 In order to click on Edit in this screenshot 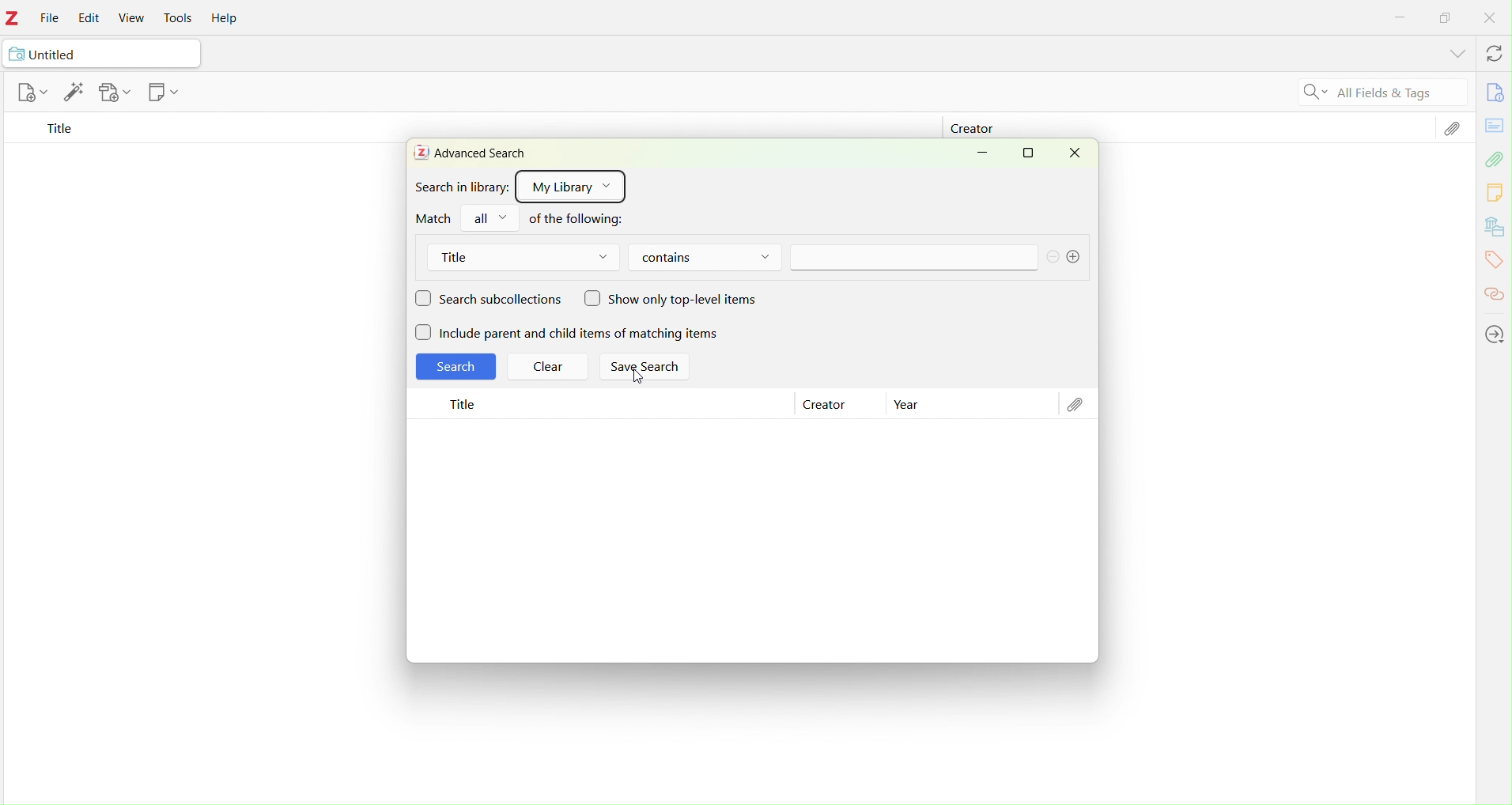, I will do `click(74, 94)`.